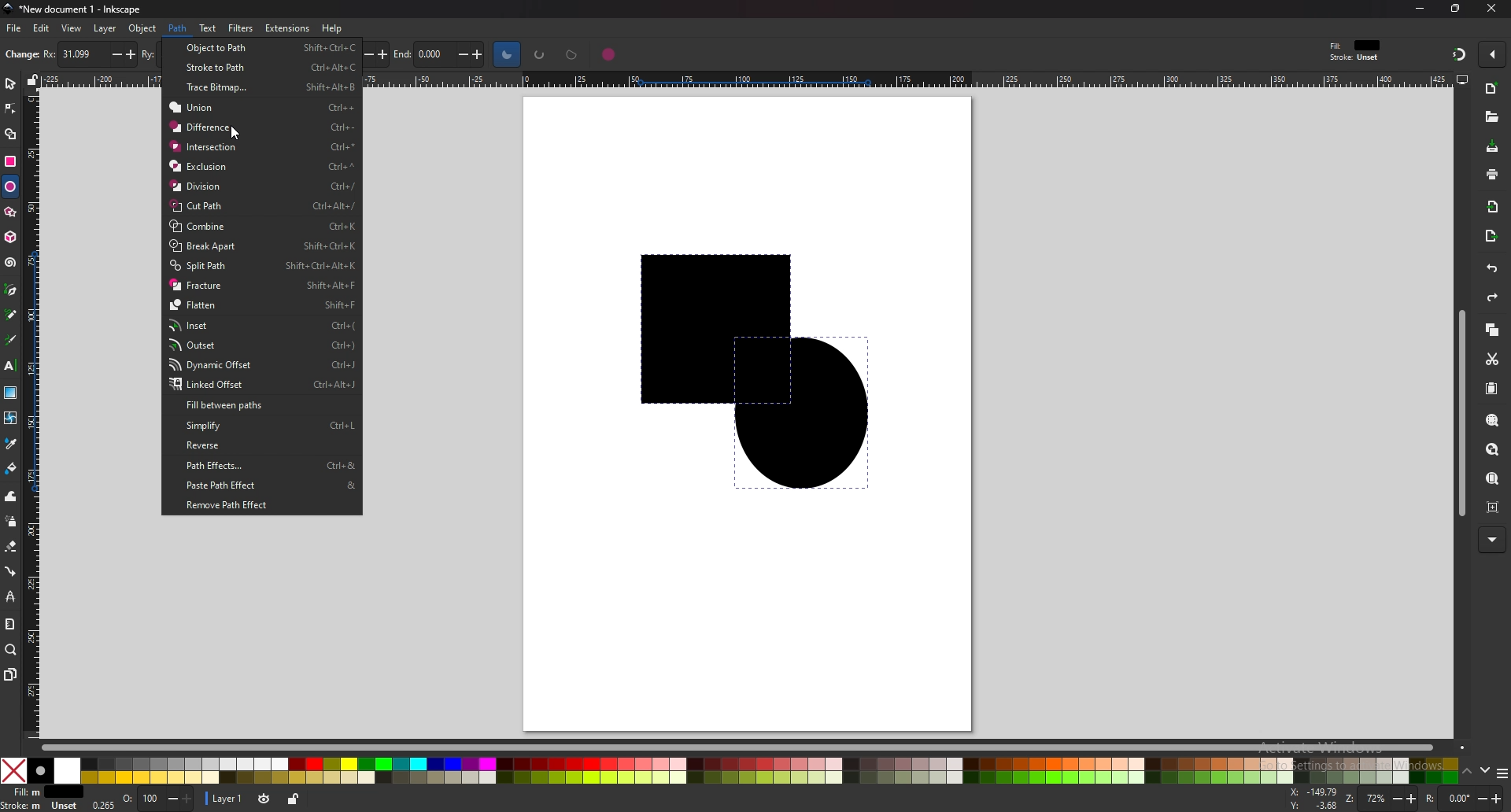 This screenshot has height=812, width=1511. What do you see at coordinates (1492, 89) in the screenshot?
I see `new` at bounding box center [1492, 89].